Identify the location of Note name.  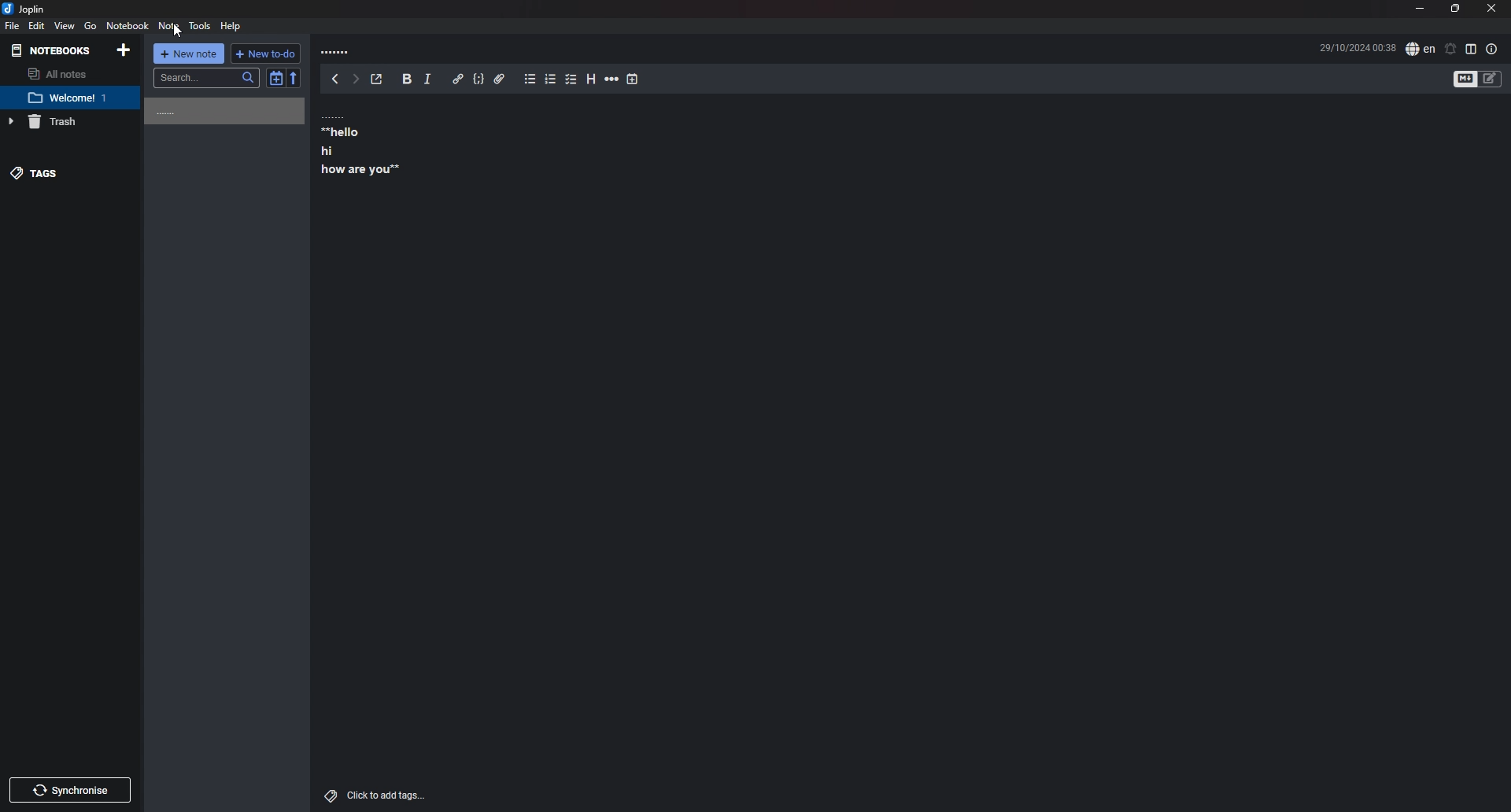
(207, 112).